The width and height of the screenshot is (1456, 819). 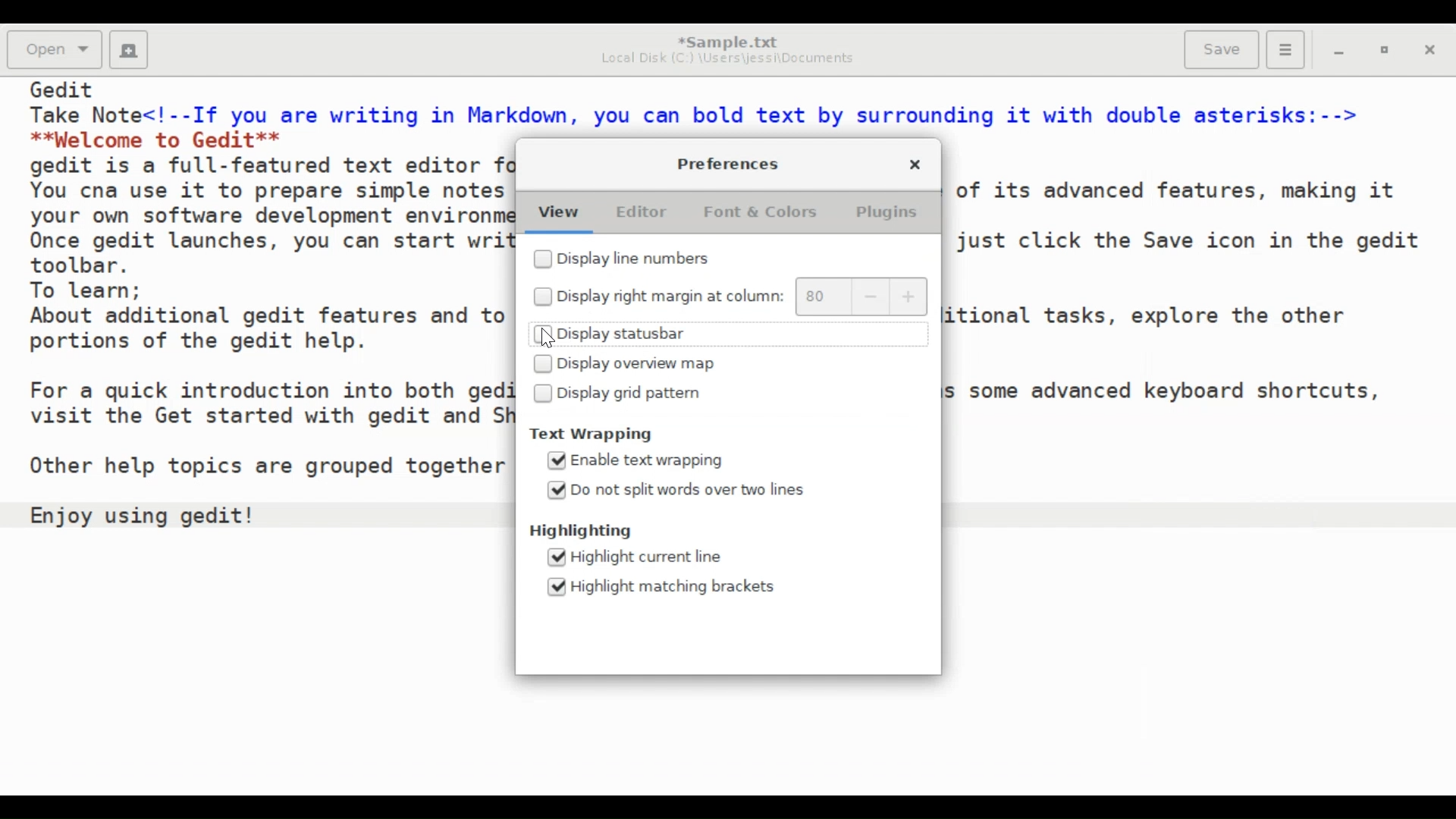 I want to click on (un)select Highlight current line, so click(x=635, y=557).